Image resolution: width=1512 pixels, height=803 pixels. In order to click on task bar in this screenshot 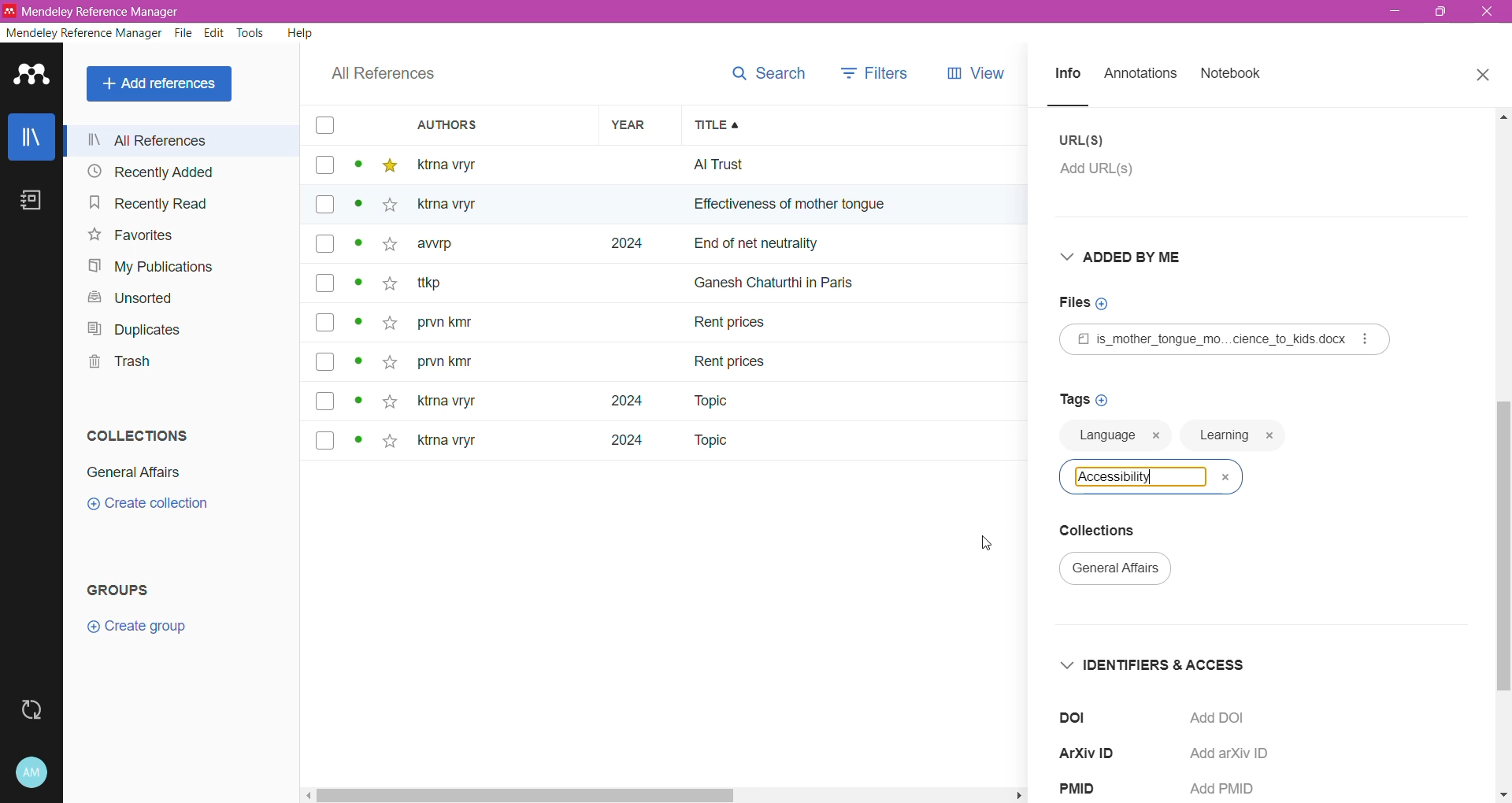, I will do `click(663, 795)`.